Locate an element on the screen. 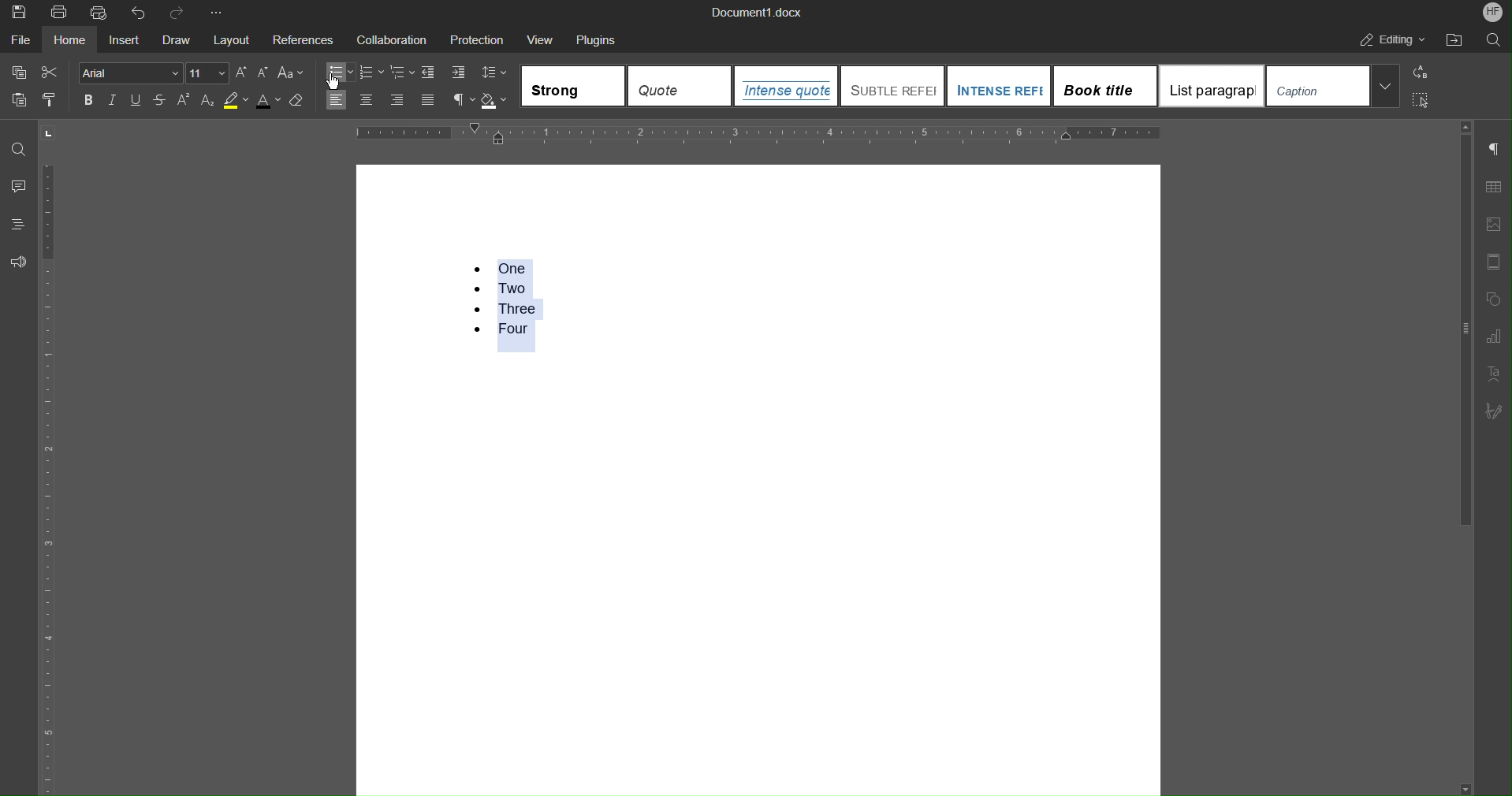 This screenshot has width=1512, height=796. Quick Print is located at coordinates (101, 11).